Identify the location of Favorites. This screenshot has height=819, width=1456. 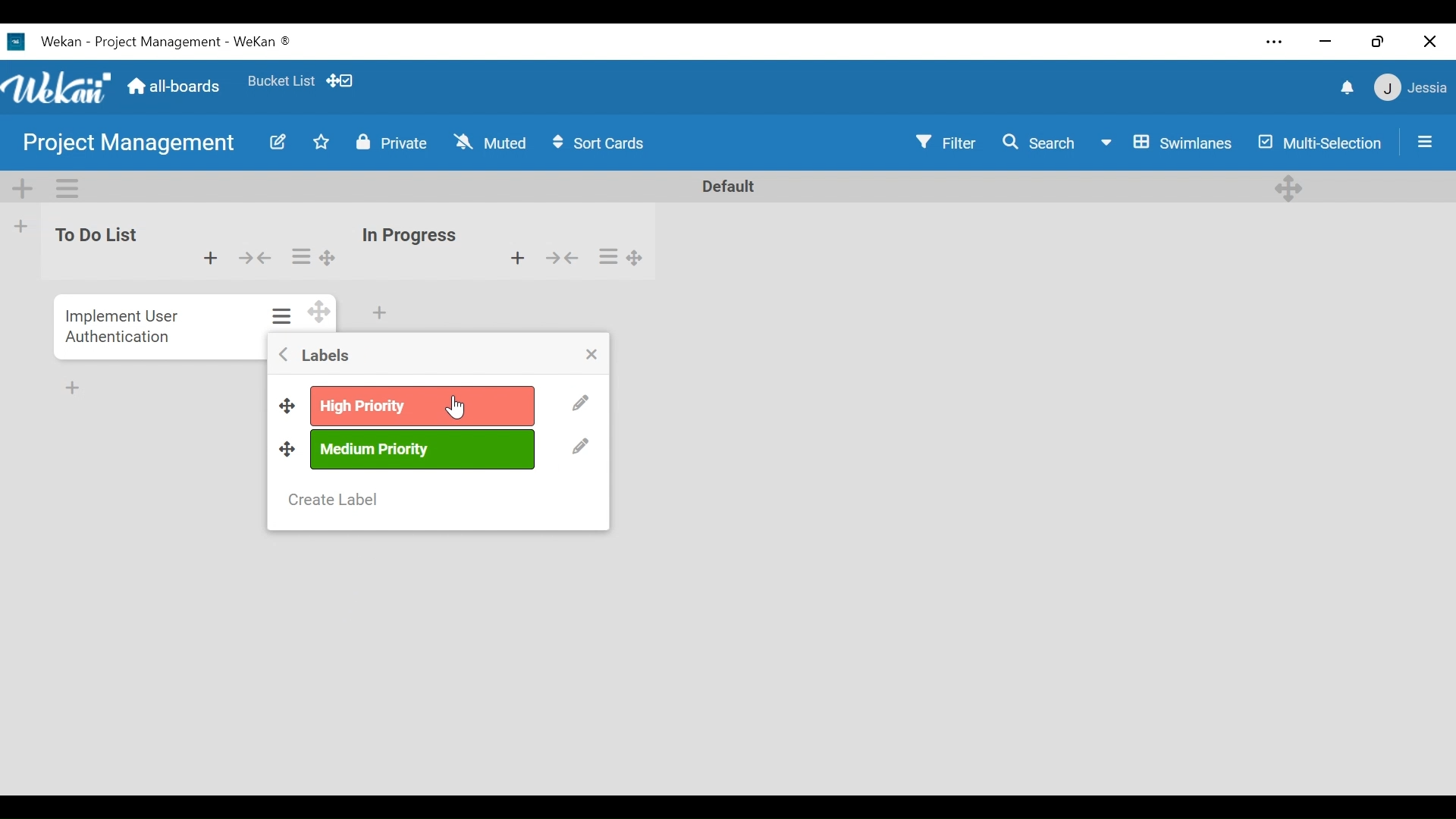
(280, 80).